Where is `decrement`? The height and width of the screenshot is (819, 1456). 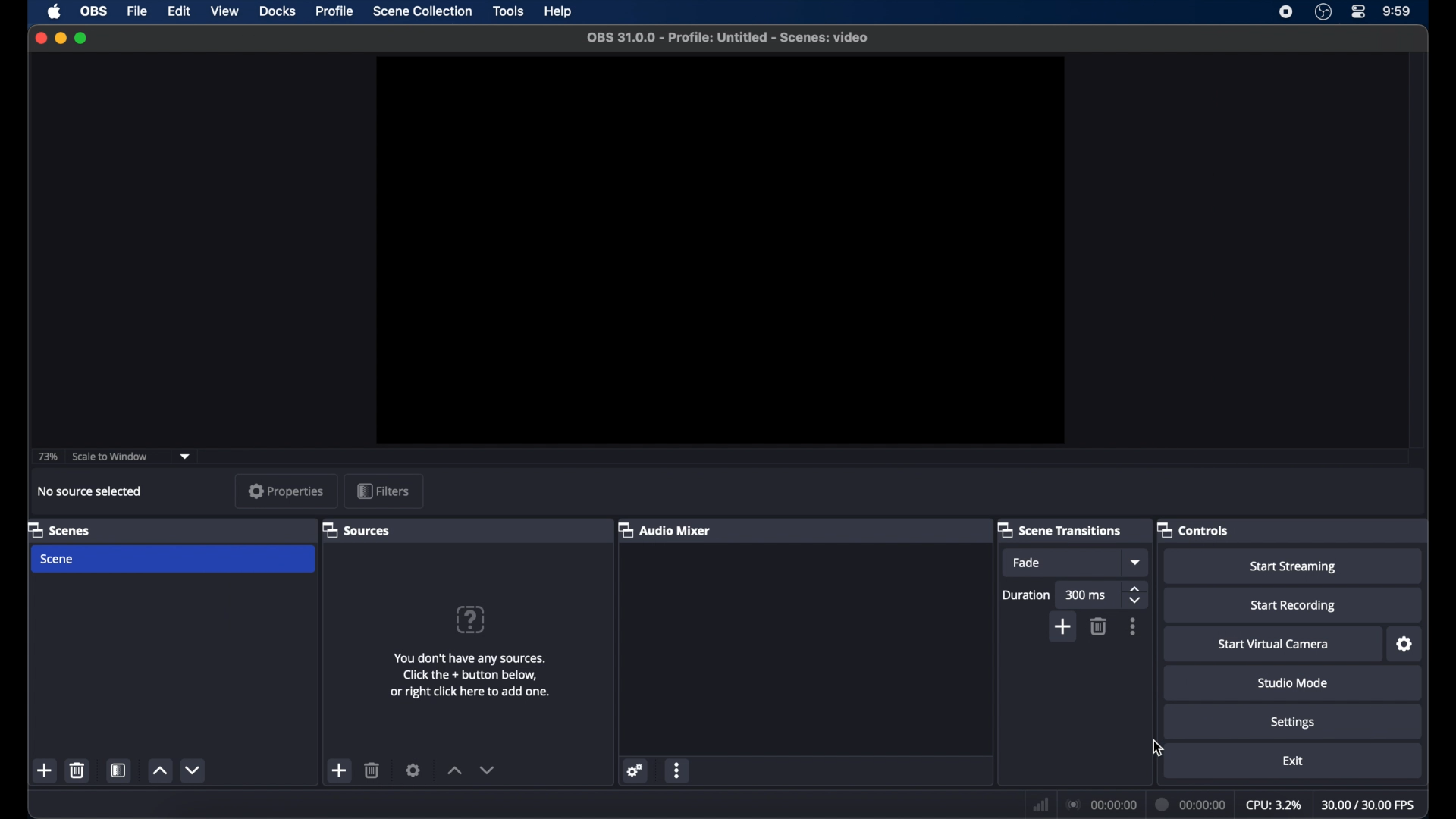
decrement is located at coordinates (194, 770).